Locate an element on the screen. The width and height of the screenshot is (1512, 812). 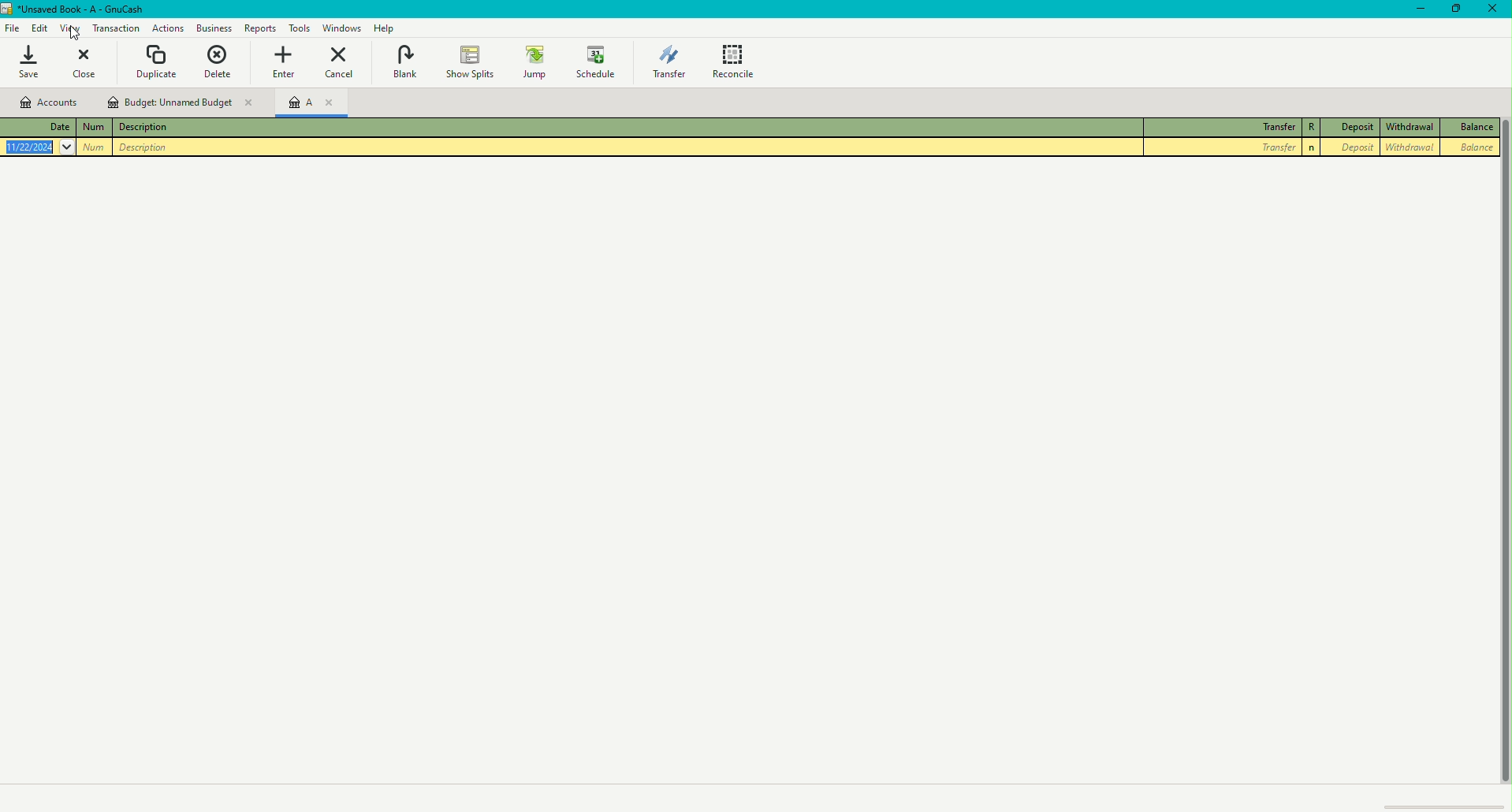
Save is located at coordinates (38, 65).